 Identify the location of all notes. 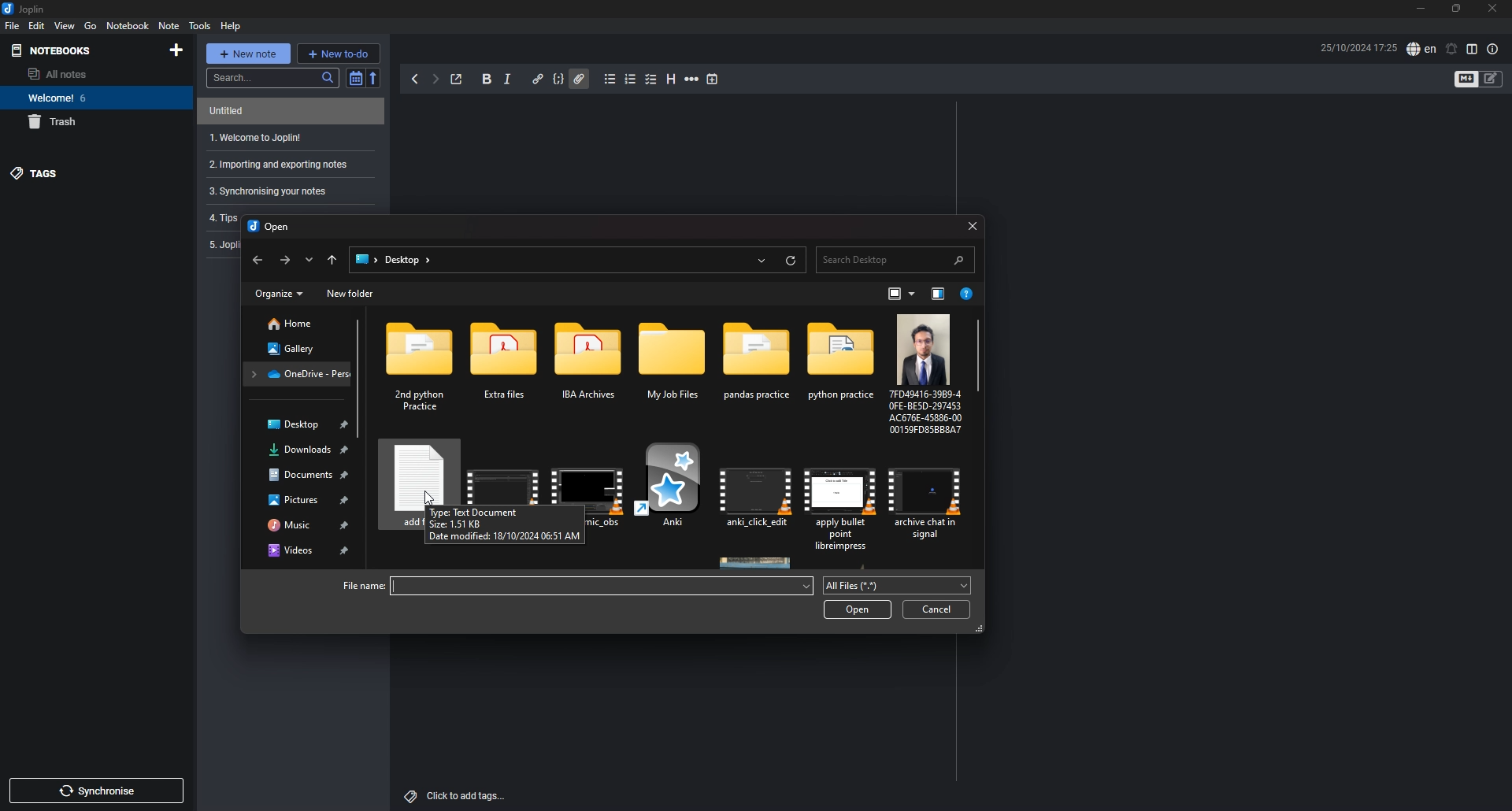
(81, 73).